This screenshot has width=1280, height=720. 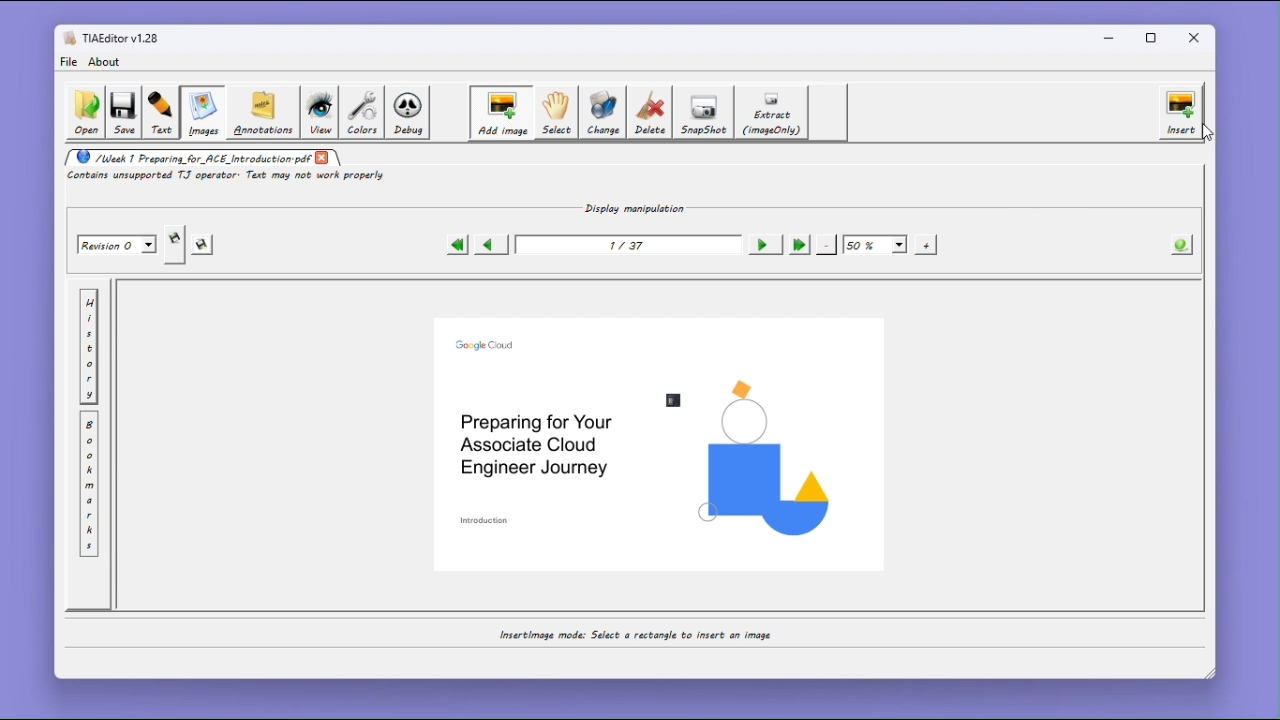 What do you see at coordinates (486, 520) in the screenshot?
I see `introduction` at bounding box center [486, 520].